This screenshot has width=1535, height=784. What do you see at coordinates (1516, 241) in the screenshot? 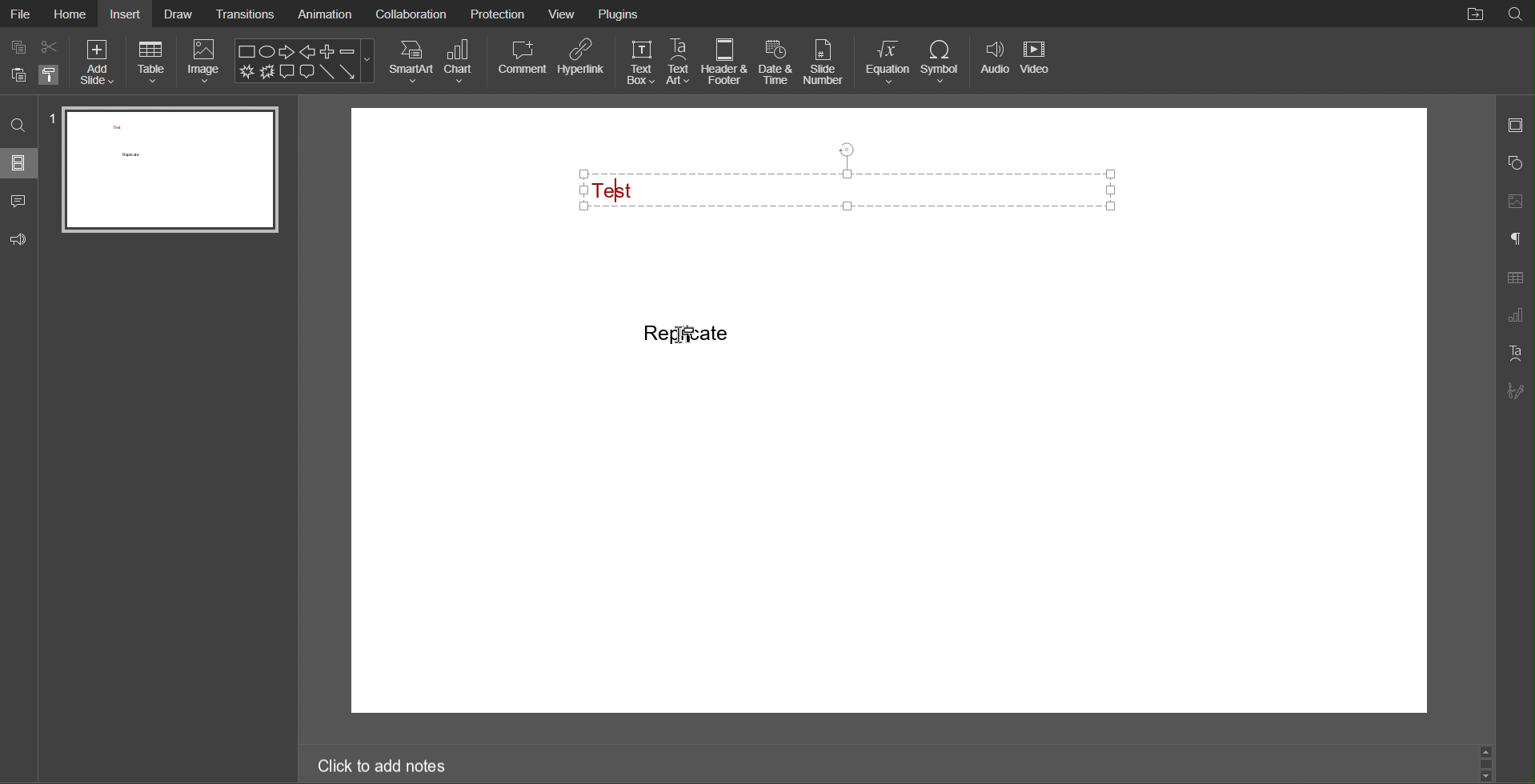
I see `Paragraph Settings` at bounding box center [1516, 241].